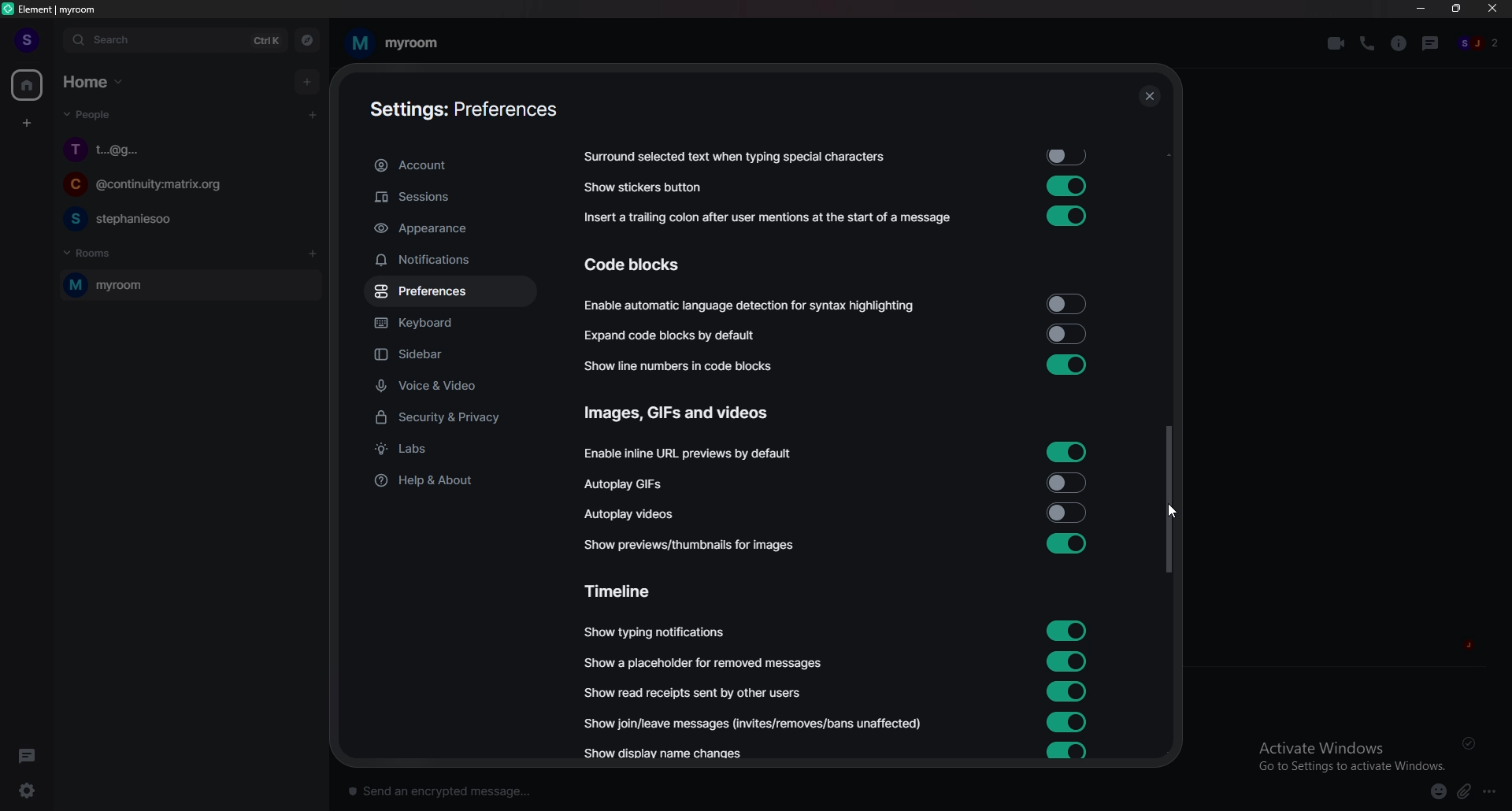 Image resolution: width=1512 pixels, height=811 pixels. Describe the element at coordinates (1068, 512) in the screenshot. I see `toggle` at that location.